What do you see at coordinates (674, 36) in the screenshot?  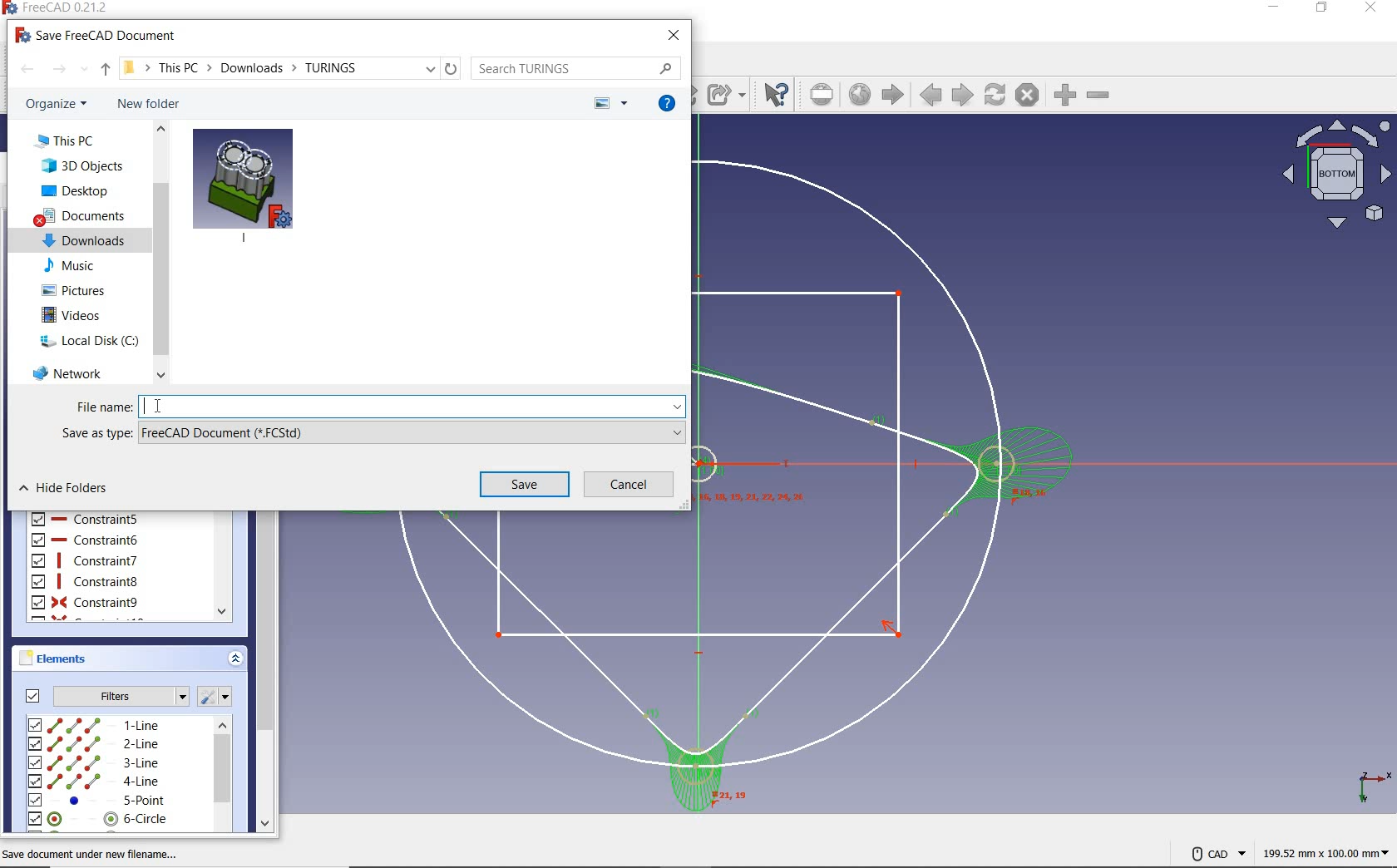 I see `close` at bounding box center [674, 36].